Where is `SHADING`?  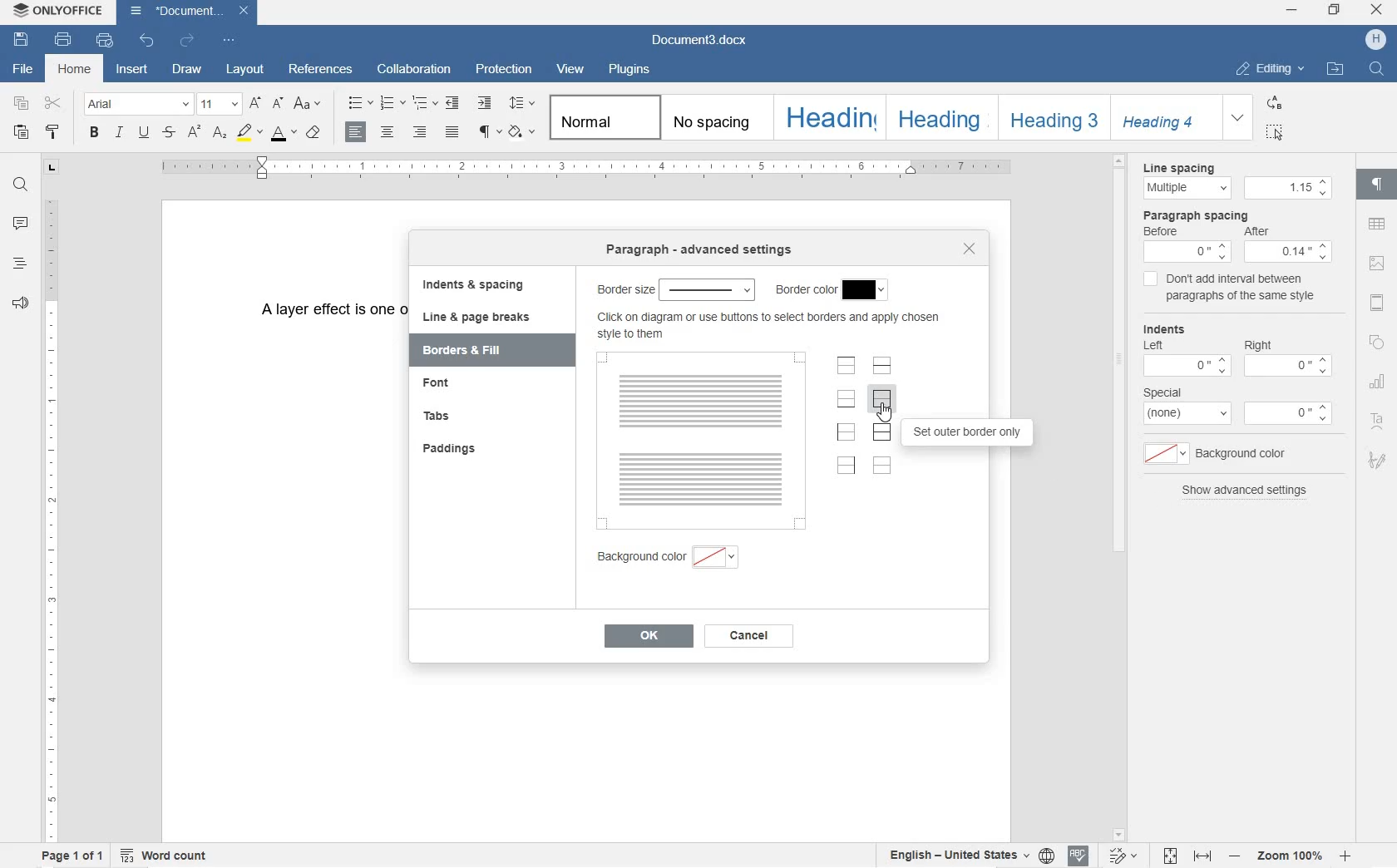
SHADING is located at coordinates (523, 131).